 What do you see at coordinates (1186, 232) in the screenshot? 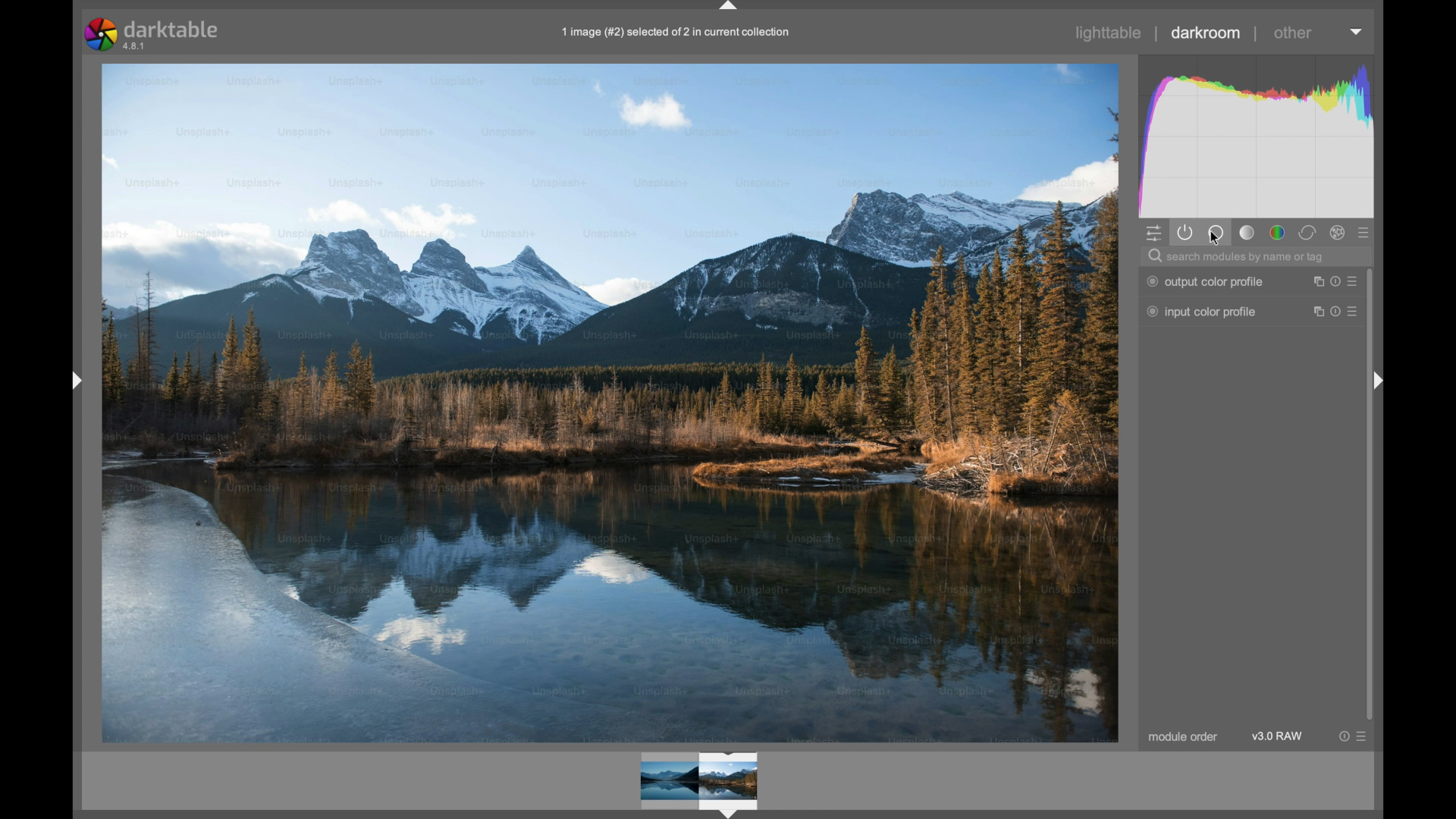
I see `show active module` at bounding box center [1186, 232].